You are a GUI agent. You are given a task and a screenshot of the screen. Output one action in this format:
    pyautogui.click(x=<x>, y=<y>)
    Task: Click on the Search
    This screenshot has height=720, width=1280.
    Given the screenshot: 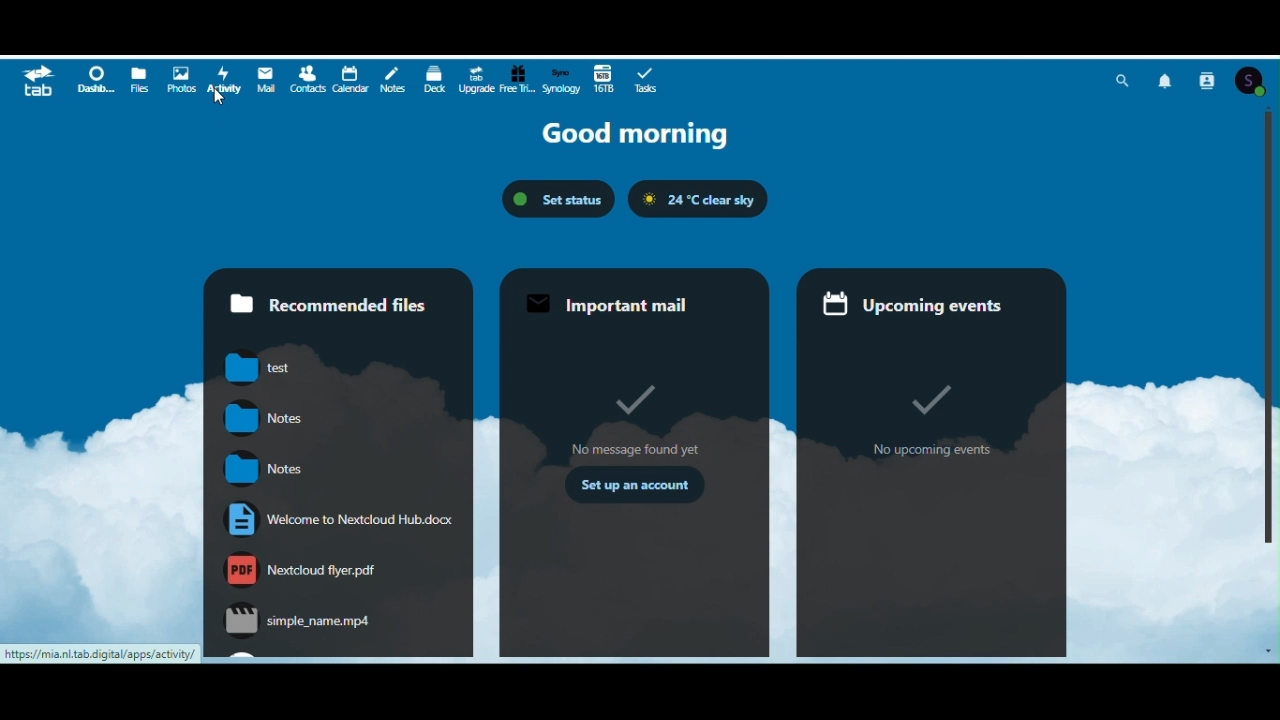 What is the action you would take?
    pyautogui.click(x=1123, y=80)
    